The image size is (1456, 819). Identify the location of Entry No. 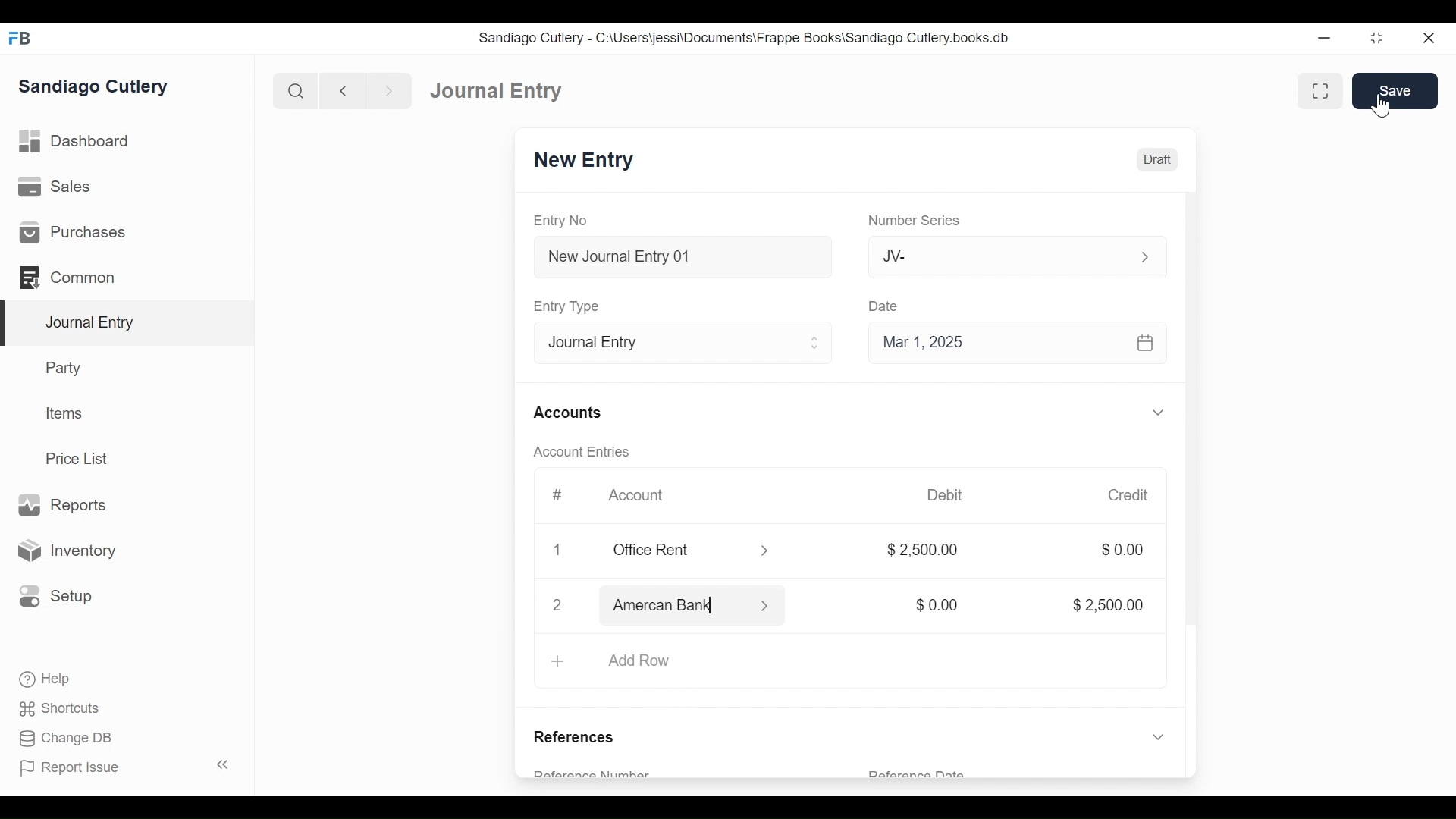
(566, 221).